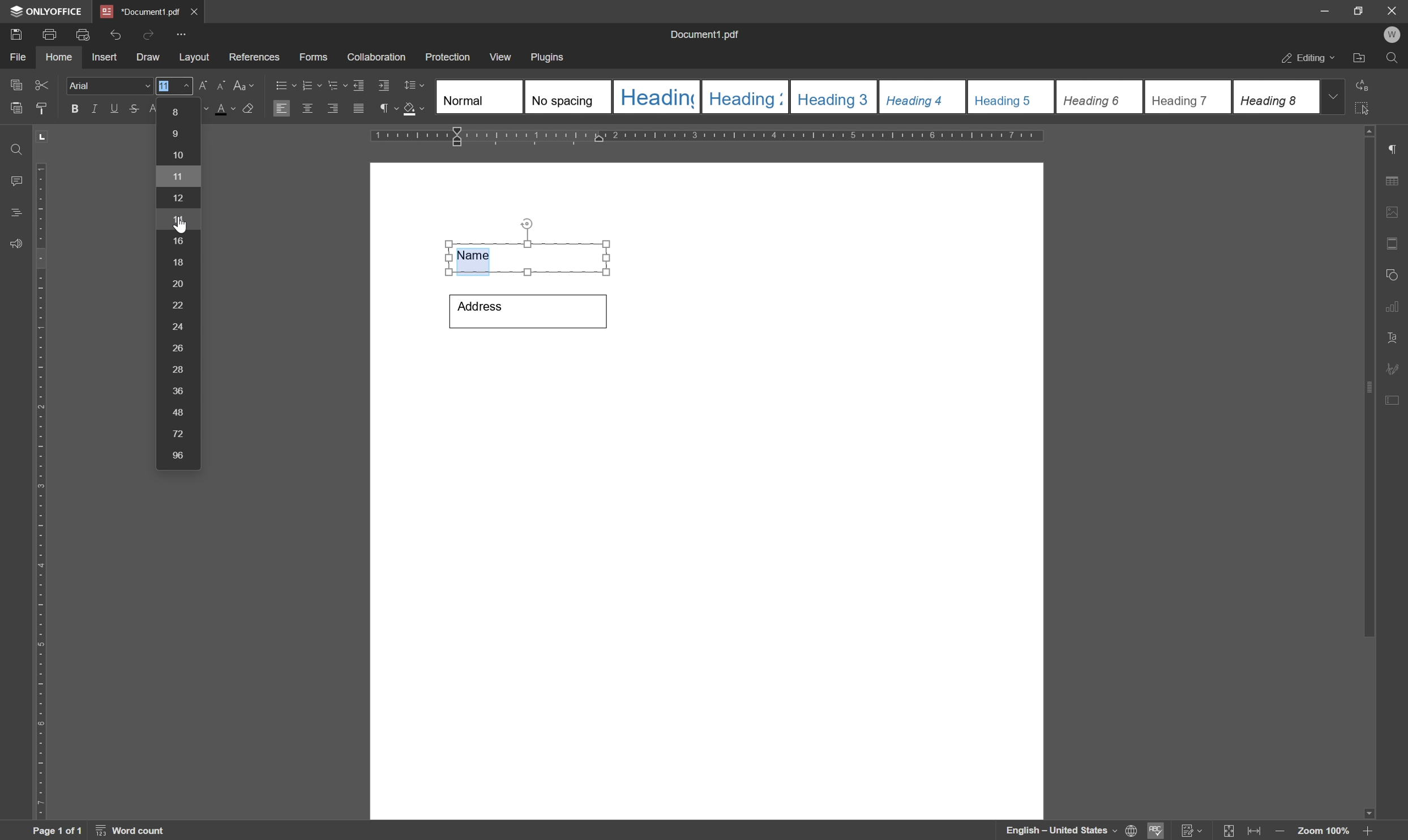 Image resolution: width=1408 pixels, height=840 pixels. Describe the element at coordinates (1394, 398) in the screenshot. I see `form settings` at that location.